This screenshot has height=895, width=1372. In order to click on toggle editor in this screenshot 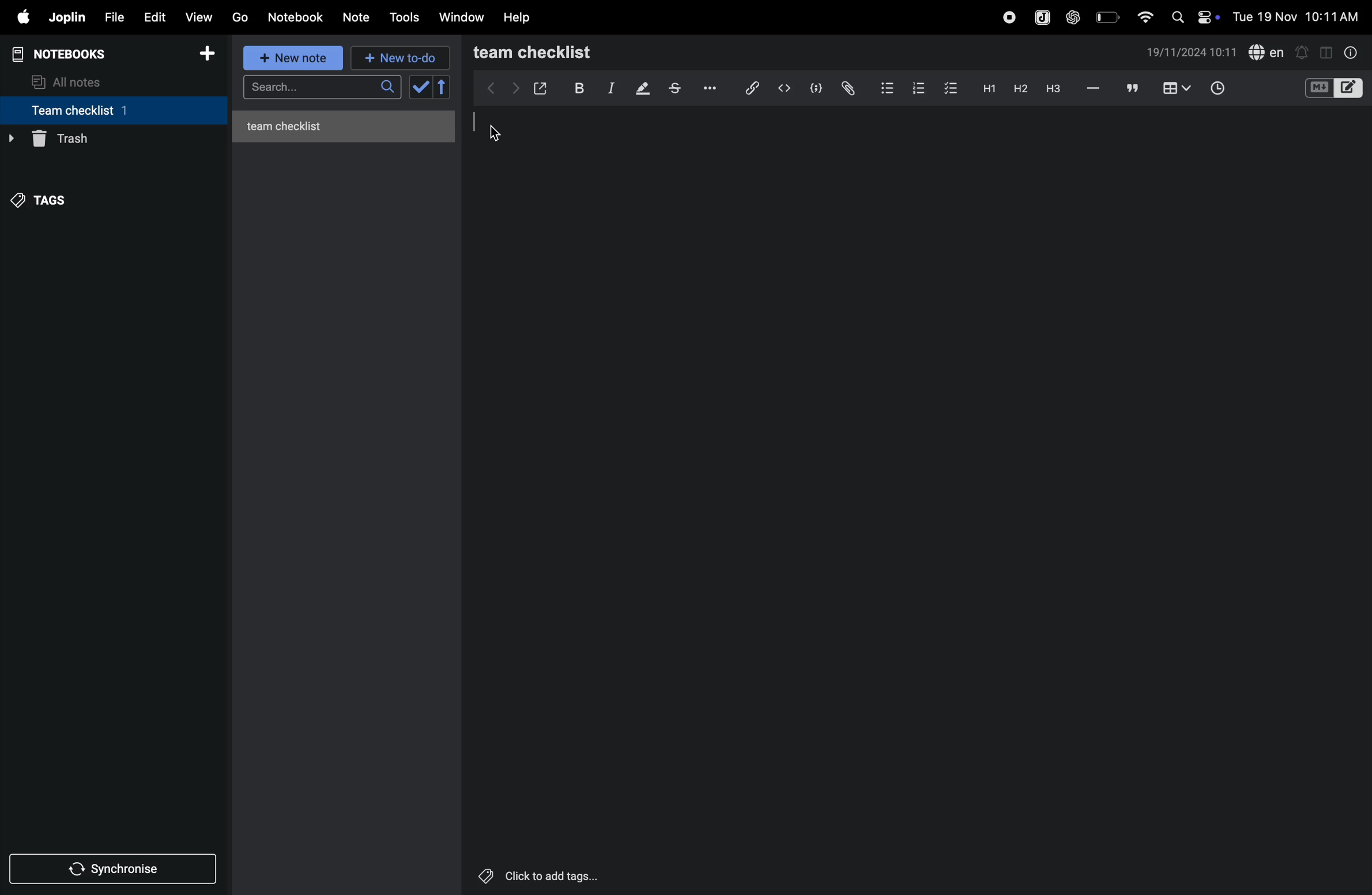, I will do `click(1322, 52)`.